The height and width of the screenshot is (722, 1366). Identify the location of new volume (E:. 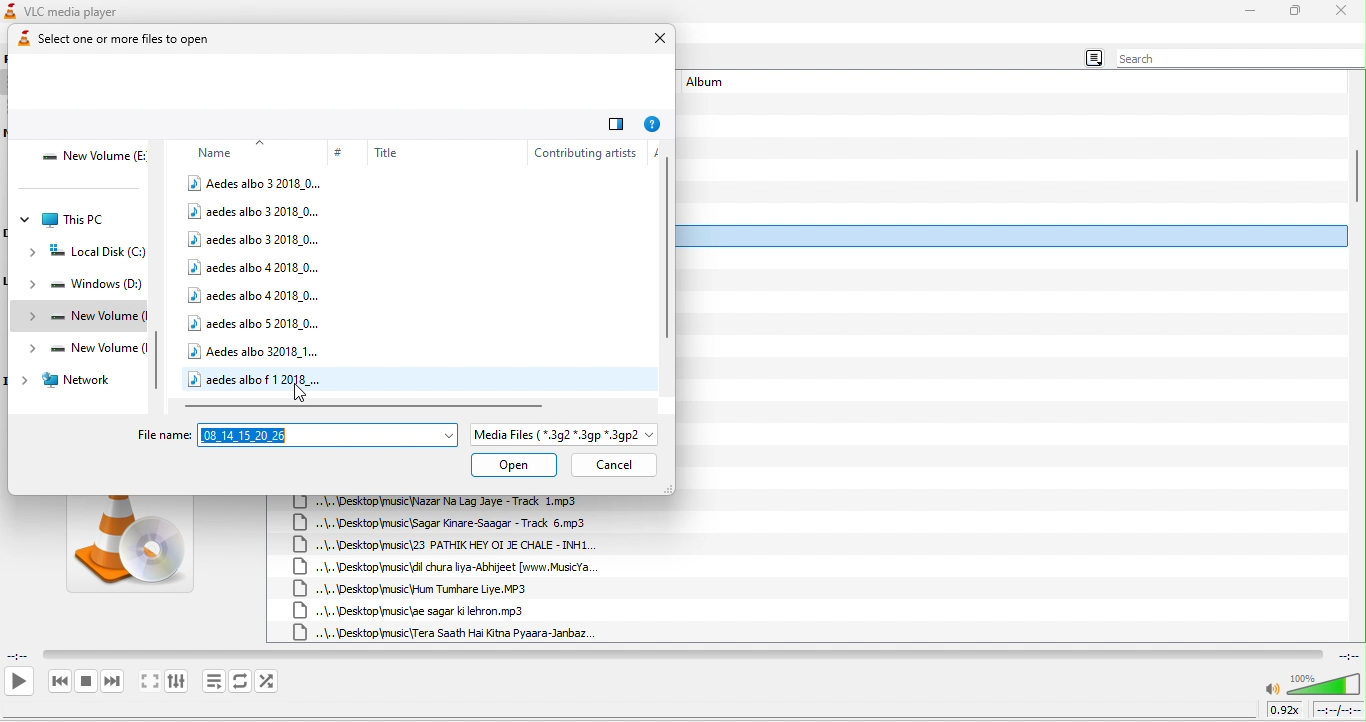
(93, 159).